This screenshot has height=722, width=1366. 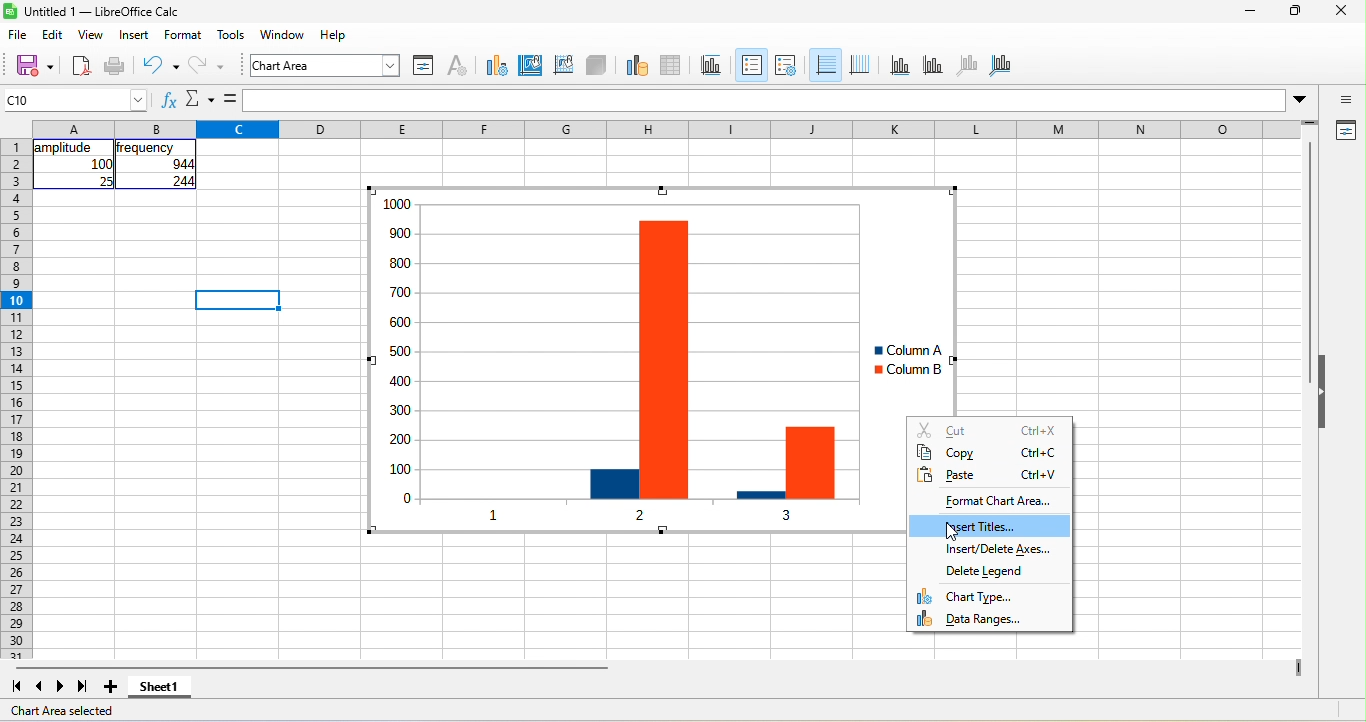 I want to click on minimize, so click(x=1250, y=10).